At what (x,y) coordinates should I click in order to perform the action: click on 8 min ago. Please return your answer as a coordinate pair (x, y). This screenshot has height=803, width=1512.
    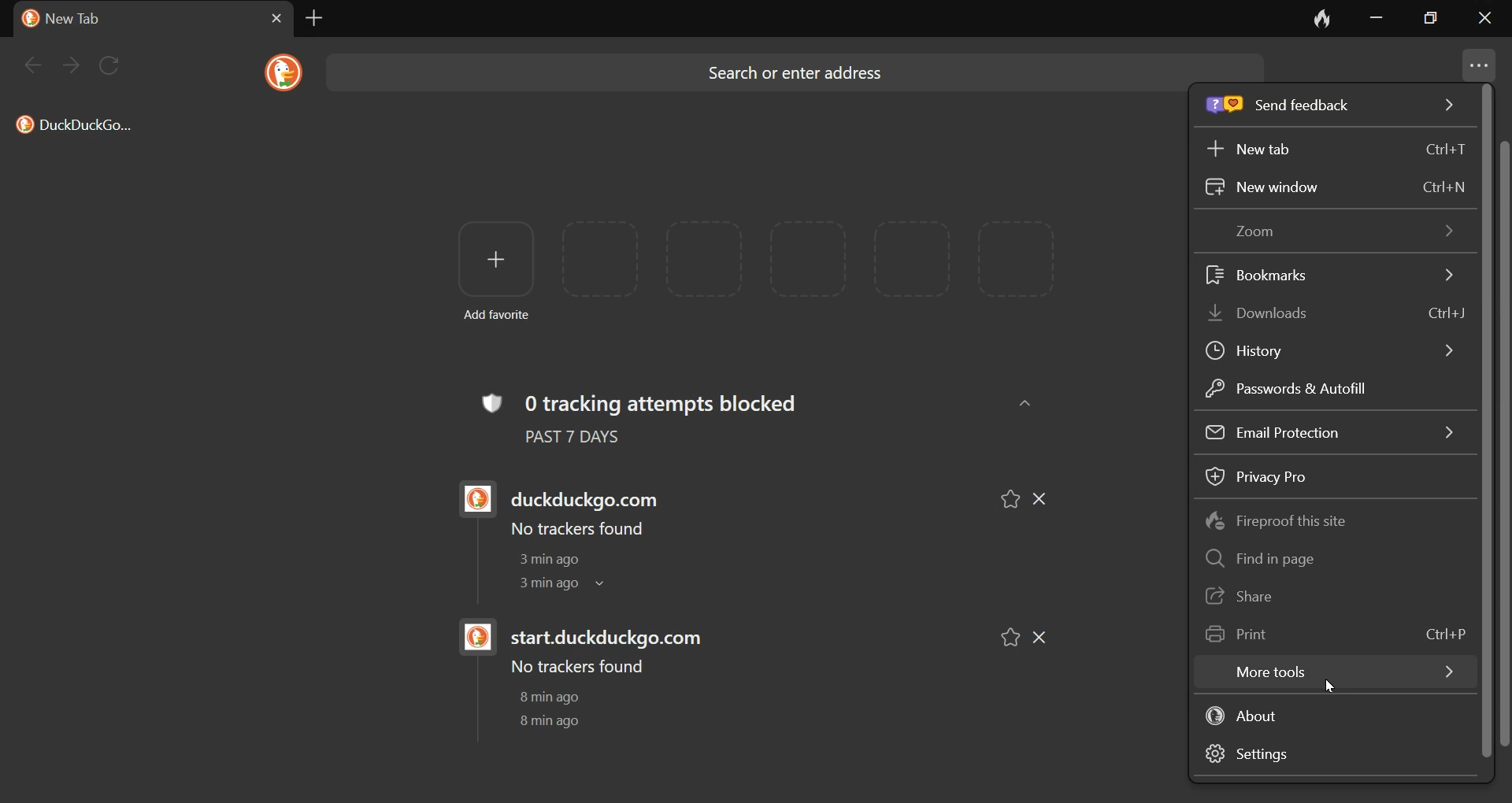
    Looking at the image, I should click on (552, 698).